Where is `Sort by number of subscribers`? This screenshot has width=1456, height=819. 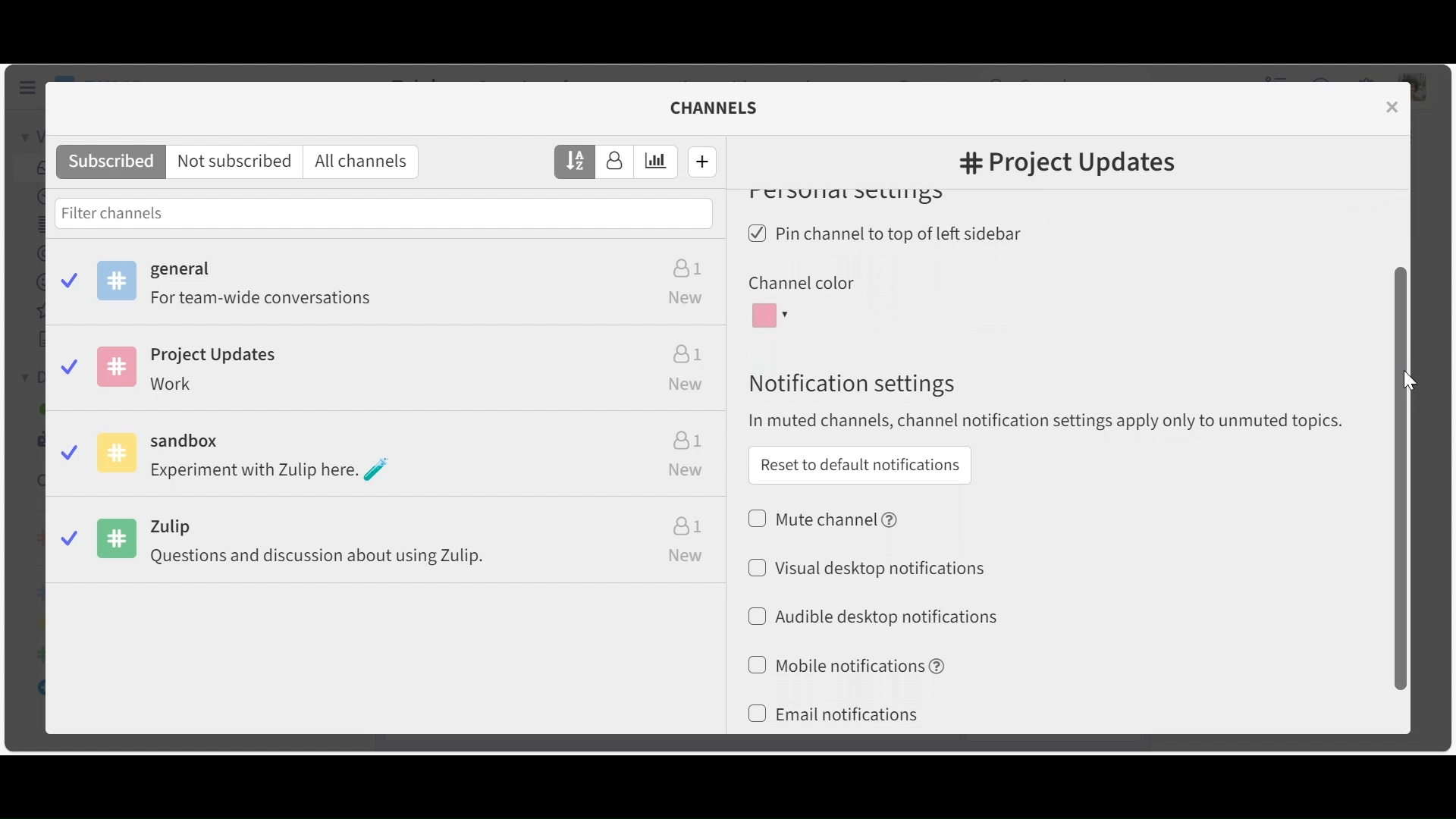
Sort by number of subscribers is located at coordinates (615, 162).